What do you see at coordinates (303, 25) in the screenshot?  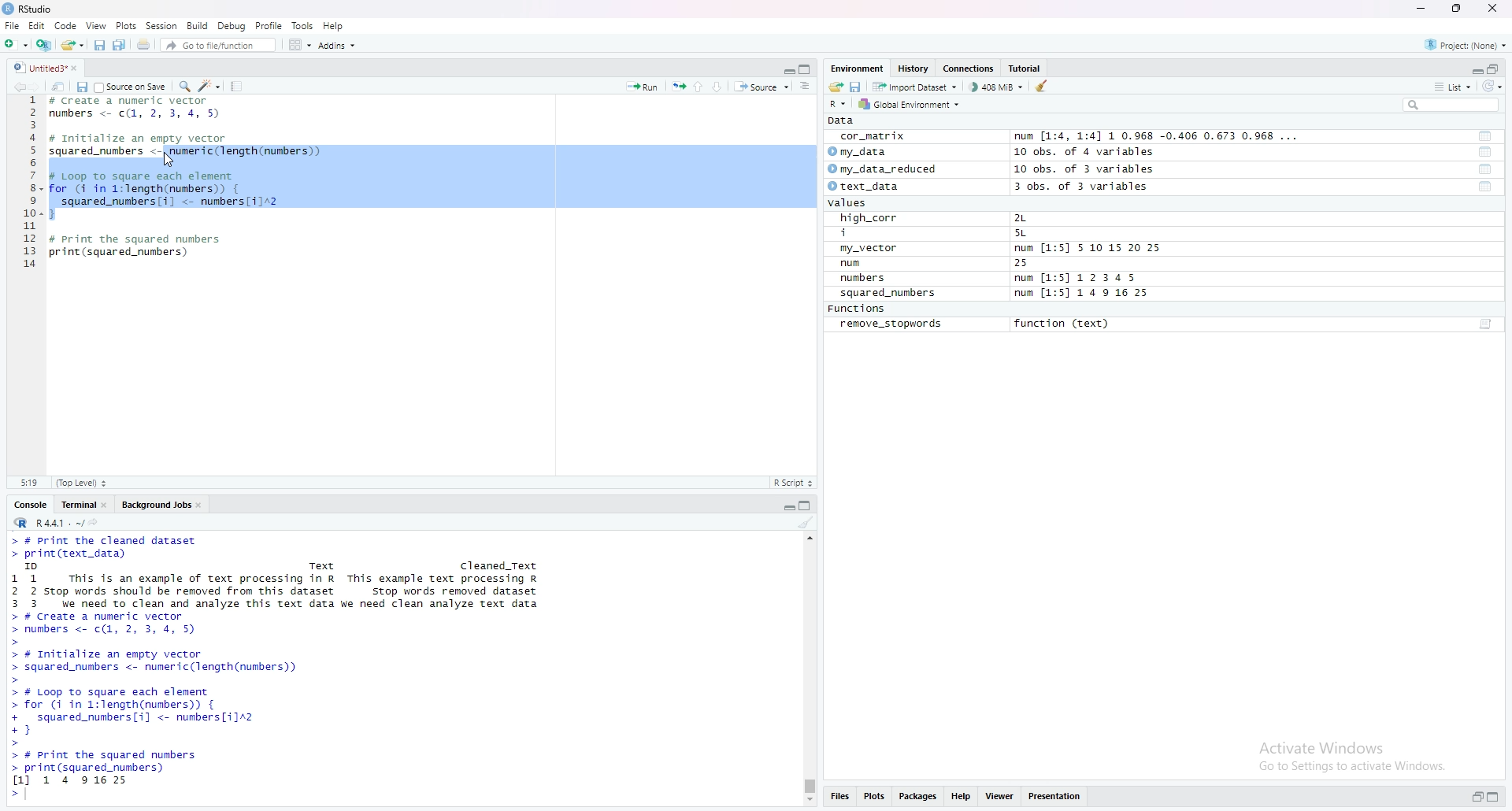 I see `Tools` at bounding box center [303, 25].